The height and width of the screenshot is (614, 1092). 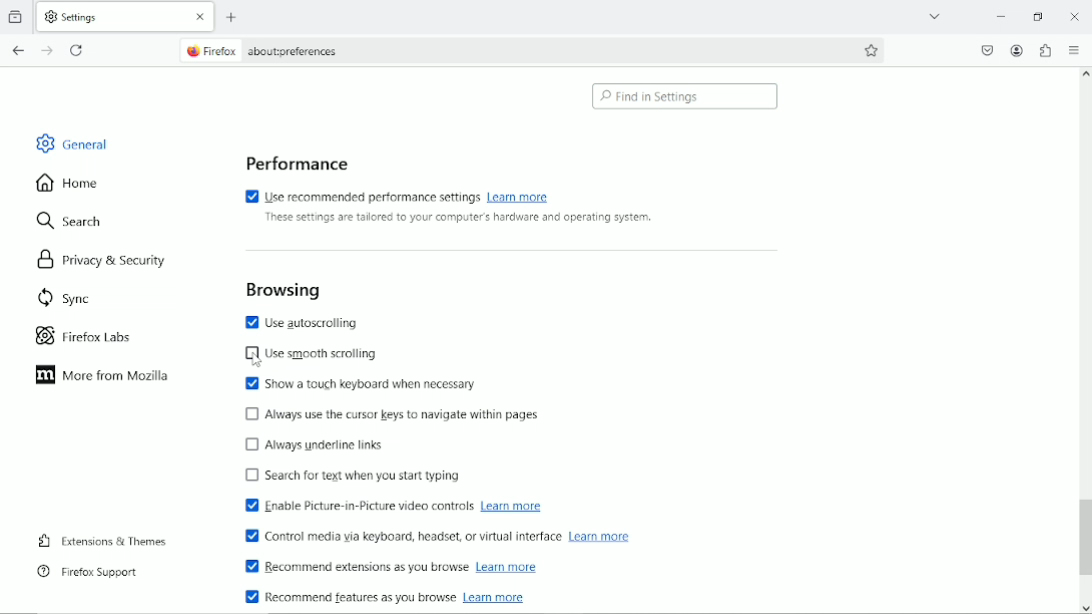 I want to click on These settings are tailored to your computer's hardware and operating system., so click(x=457, y=219).